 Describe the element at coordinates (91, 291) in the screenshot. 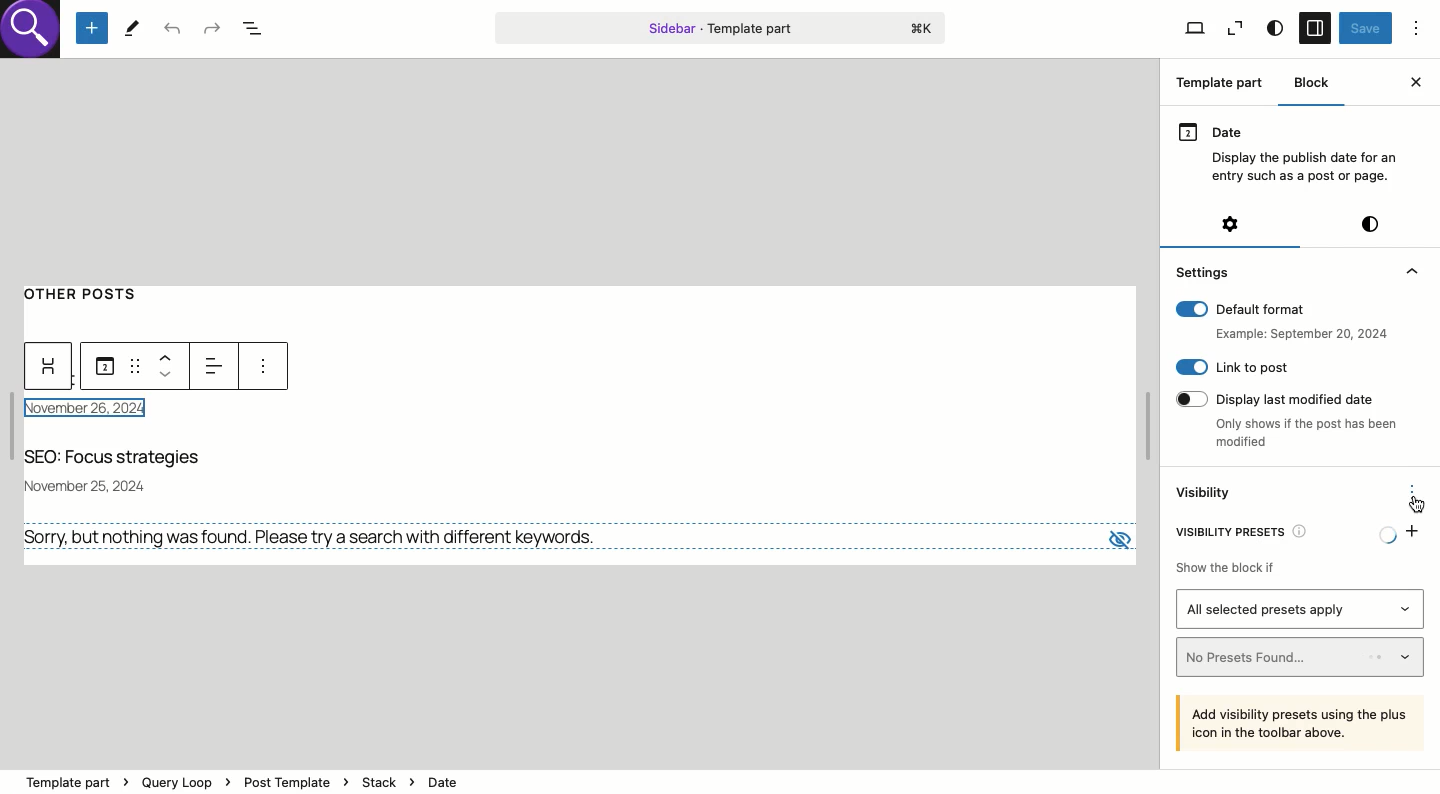

I see `Other posts` at that location.